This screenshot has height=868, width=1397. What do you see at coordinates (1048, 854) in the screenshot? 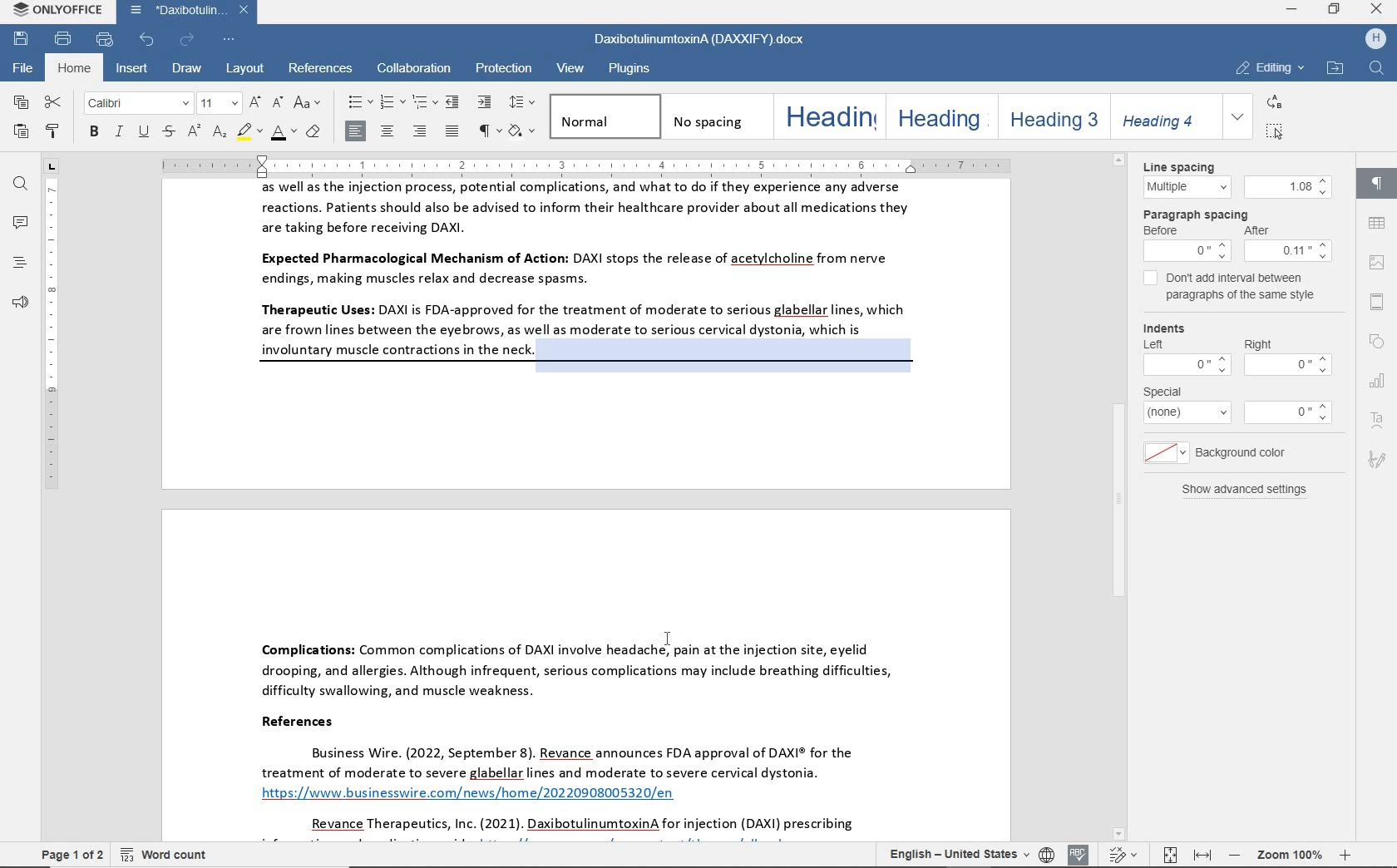
I see `set document language` at bounding box center [1048, 854].